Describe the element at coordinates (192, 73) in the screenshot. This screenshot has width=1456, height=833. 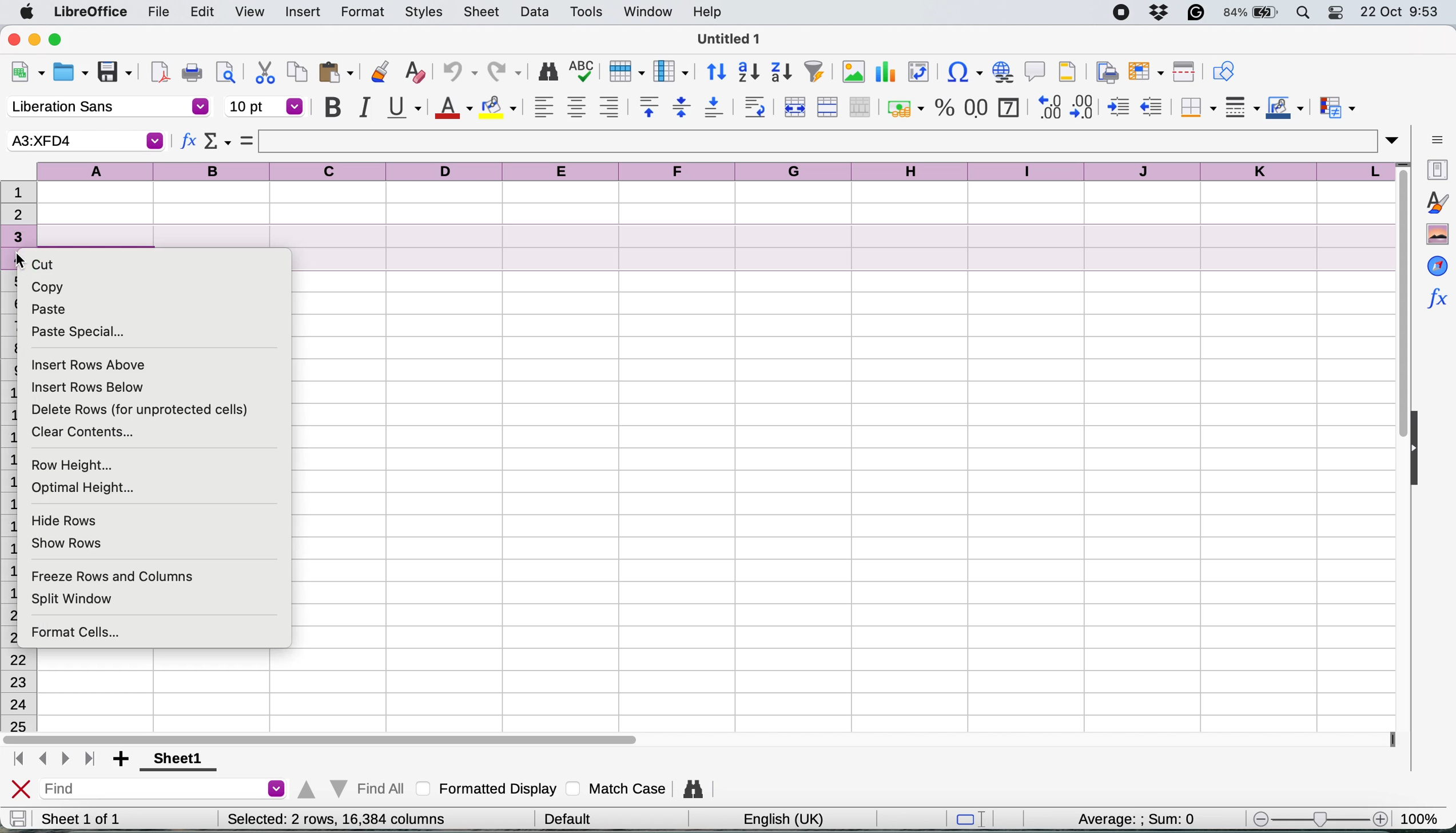
I see `print` at that location.